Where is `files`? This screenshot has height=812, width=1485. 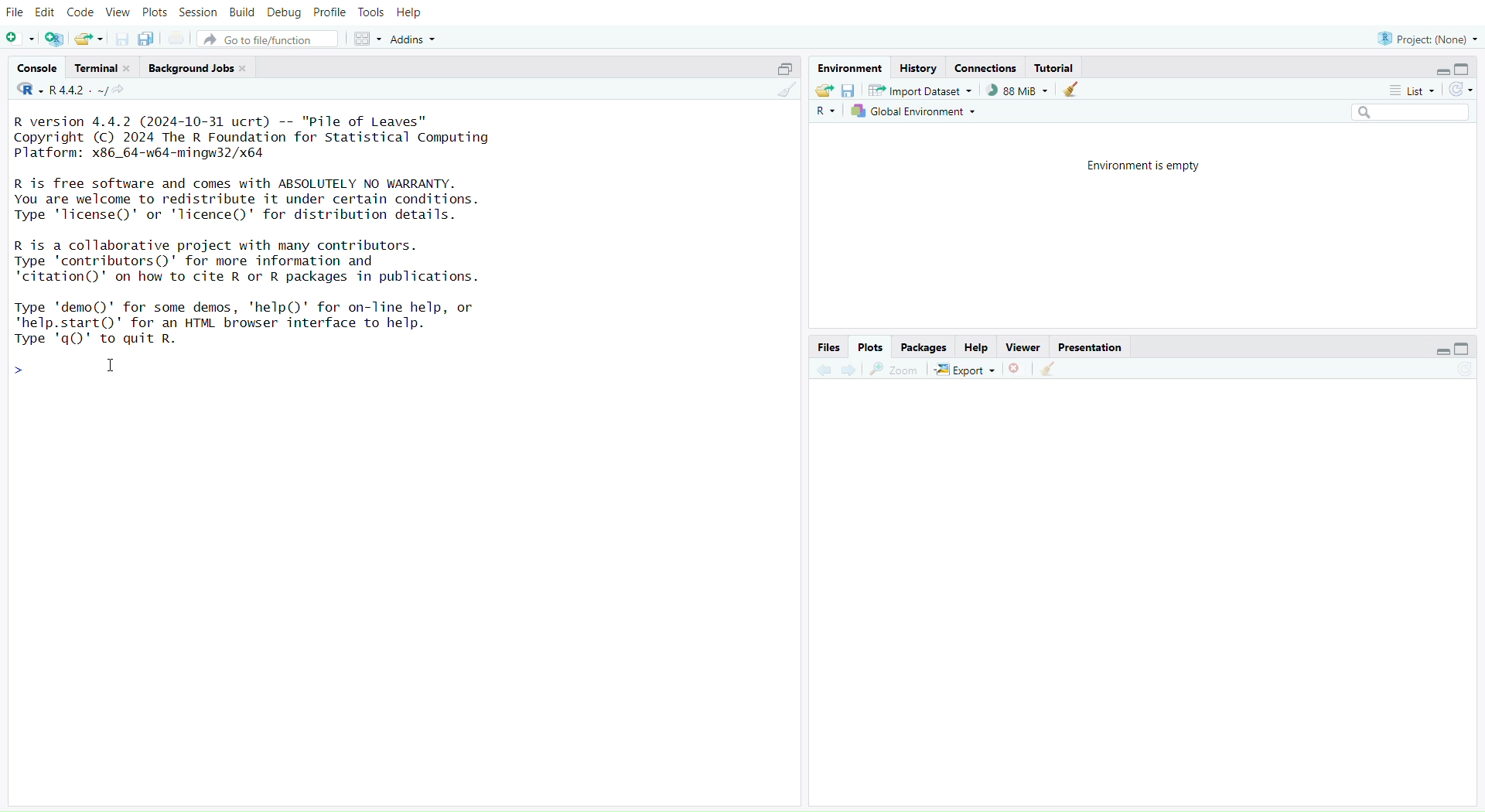 files is located at coordinates (829, 346).